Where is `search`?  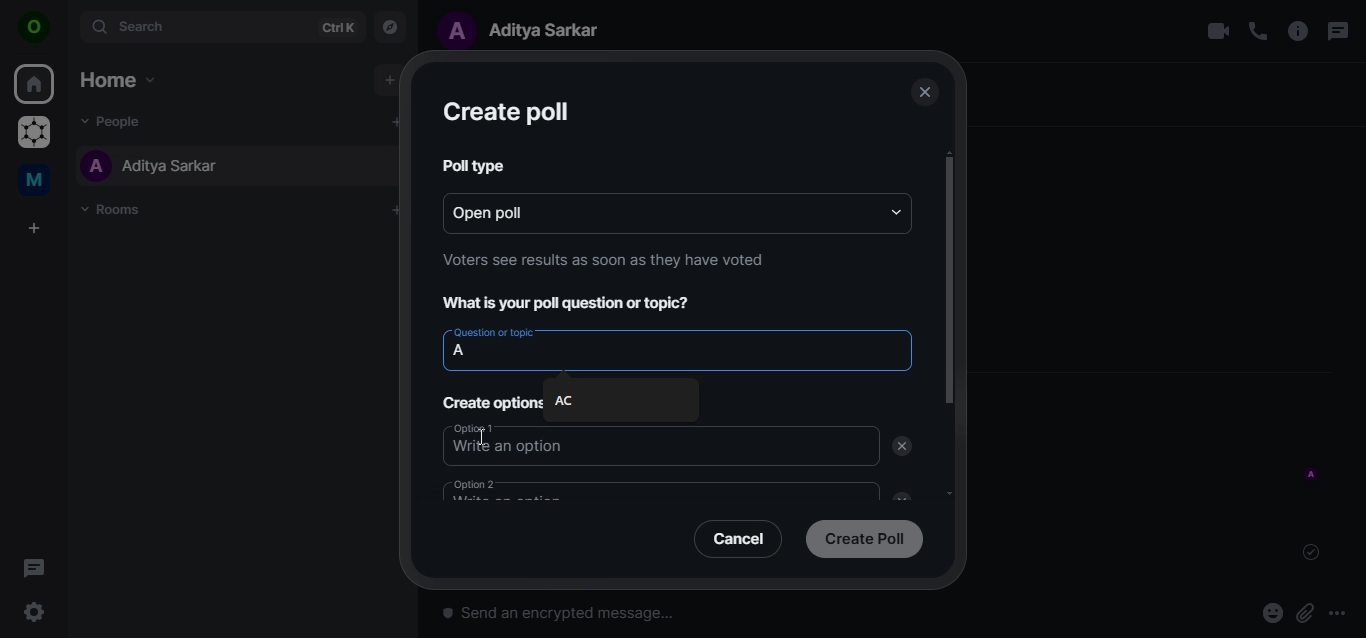 search is located at coordinates (220, 26).